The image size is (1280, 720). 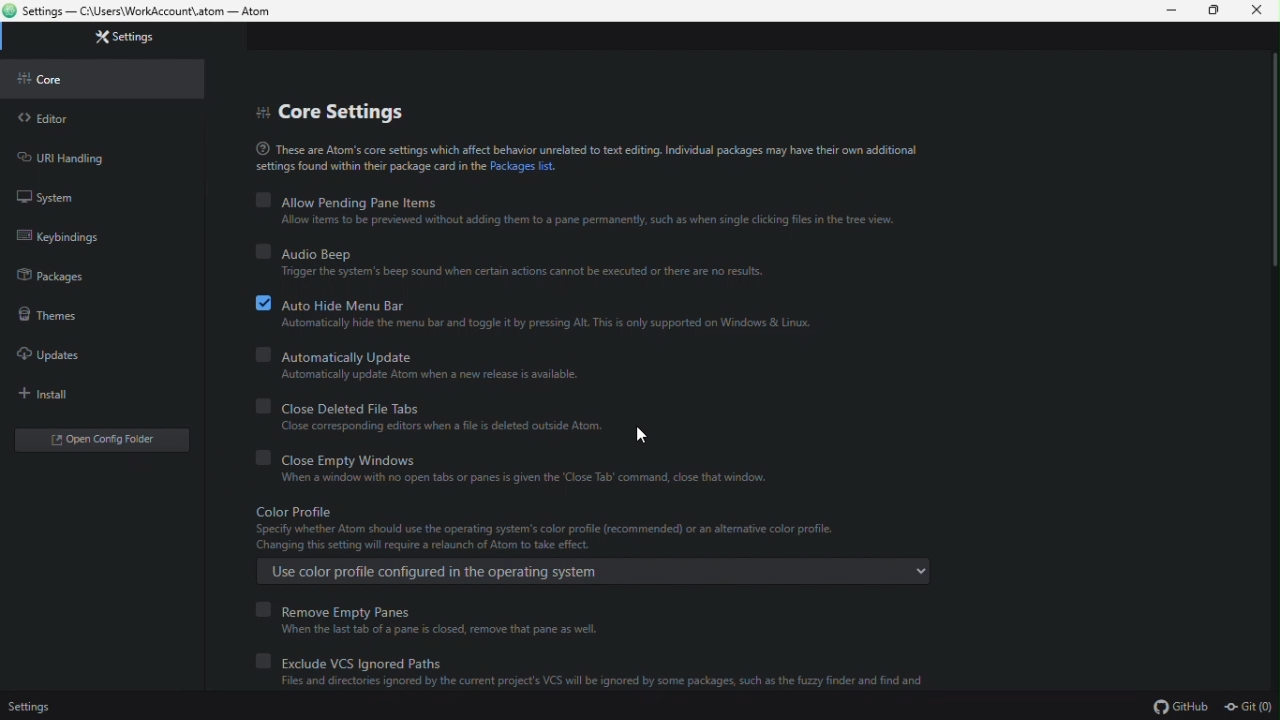 What do you see at coordinates (1252, 707) in the screenshot?
I see `git` at bounding box center [1252, 707].